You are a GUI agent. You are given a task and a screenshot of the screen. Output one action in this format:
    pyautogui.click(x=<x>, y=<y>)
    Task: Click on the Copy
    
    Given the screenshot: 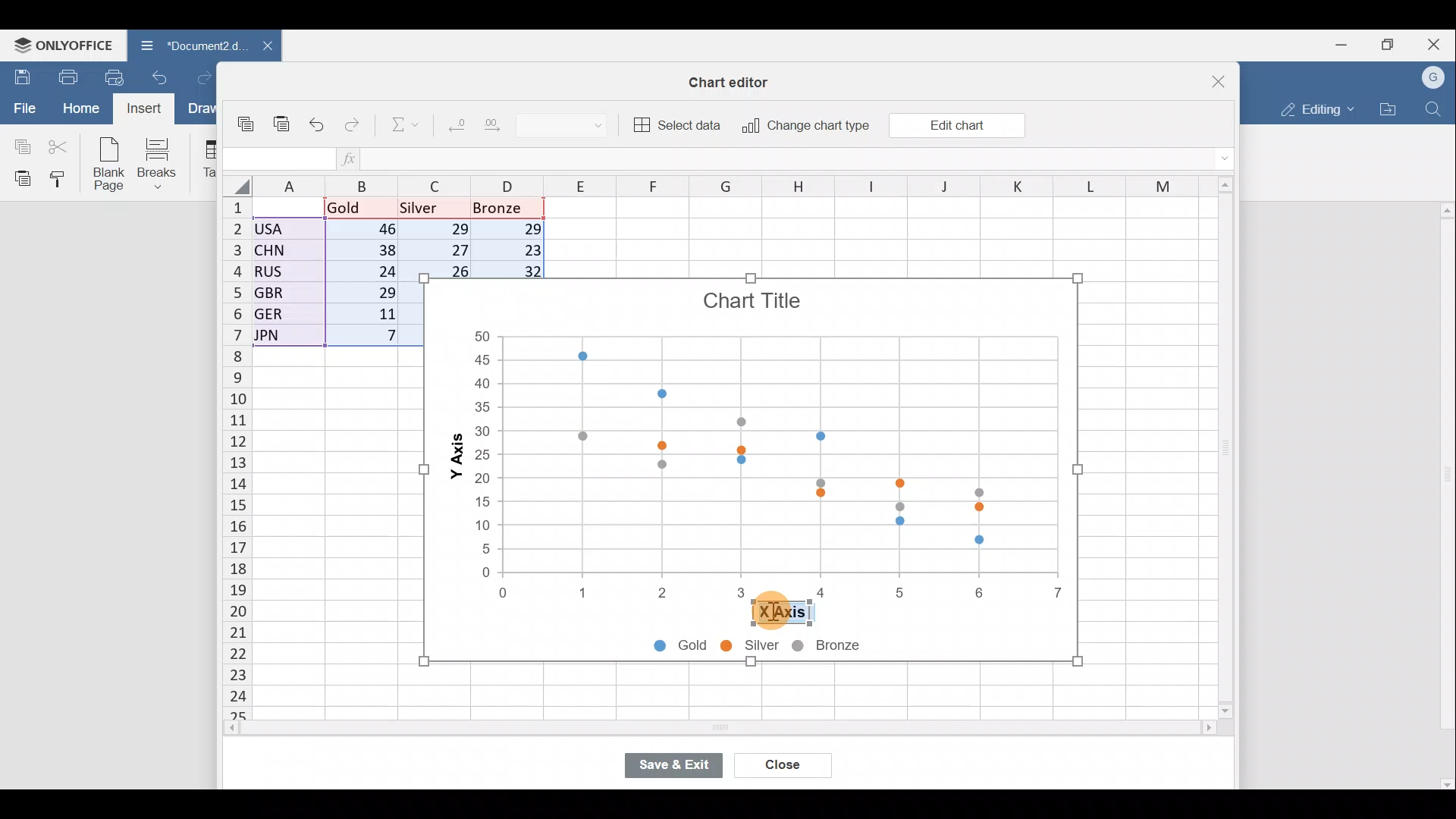 What is the action you would take?
    pyautogui.click(x=246, y=117)
    